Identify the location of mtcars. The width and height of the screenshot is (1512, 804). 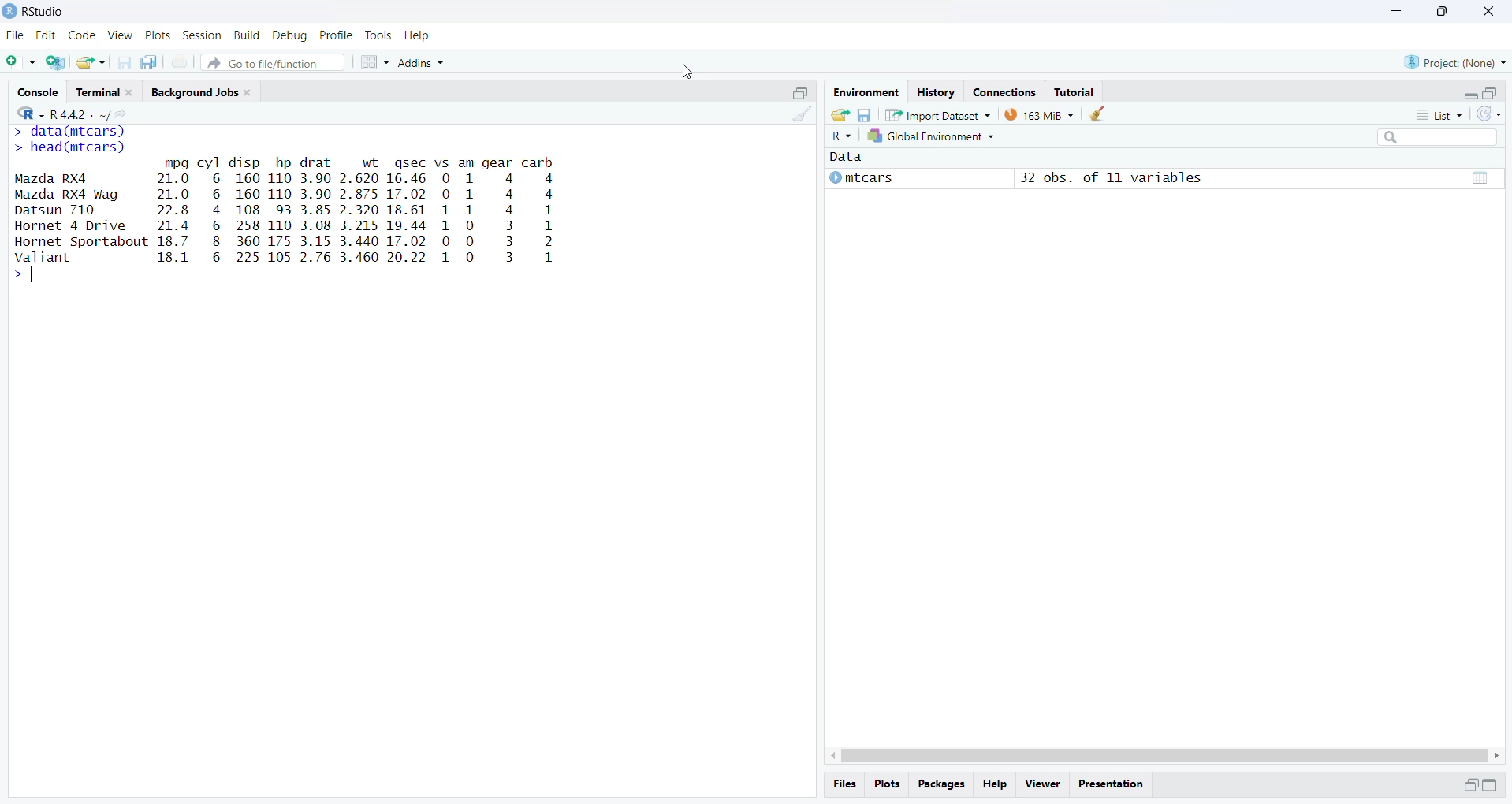
(863, 178).